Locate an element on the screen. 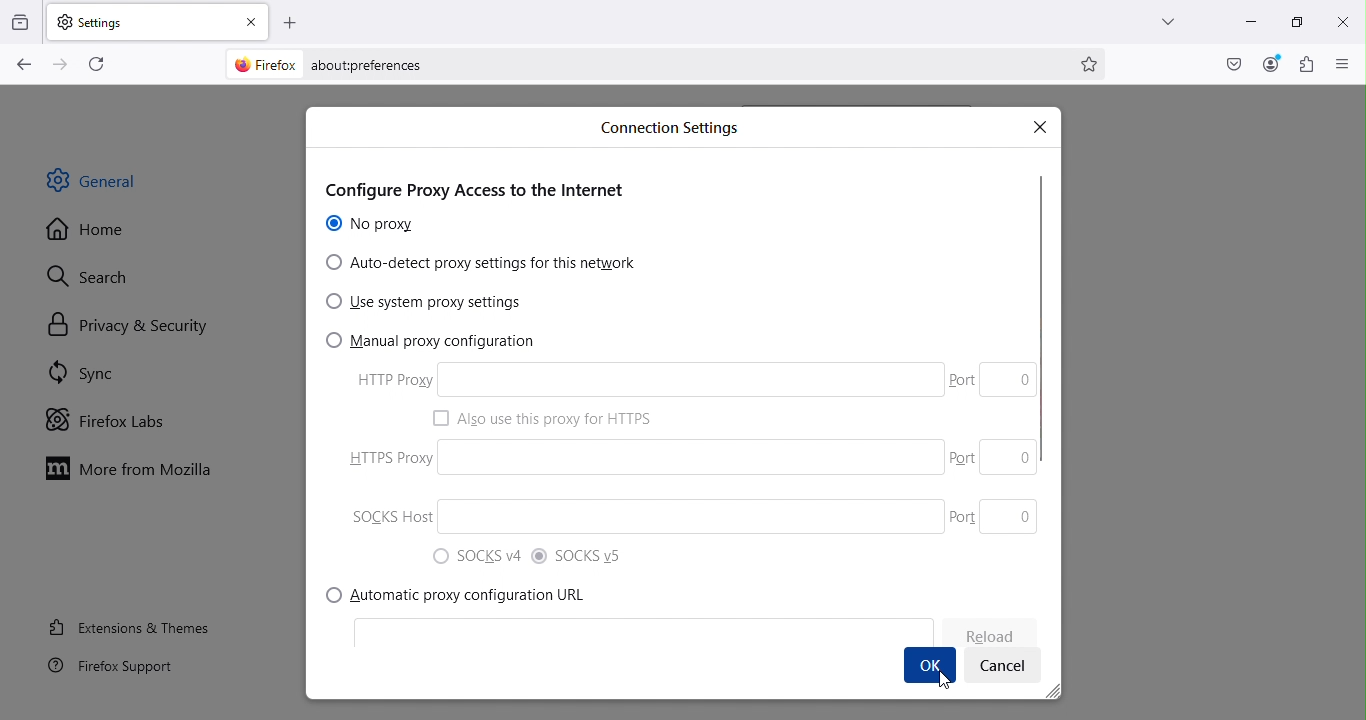 Image resolution: width=1366 pixels, height=720 pixels. Use system proxy settings is located at coordinates (428, 303).